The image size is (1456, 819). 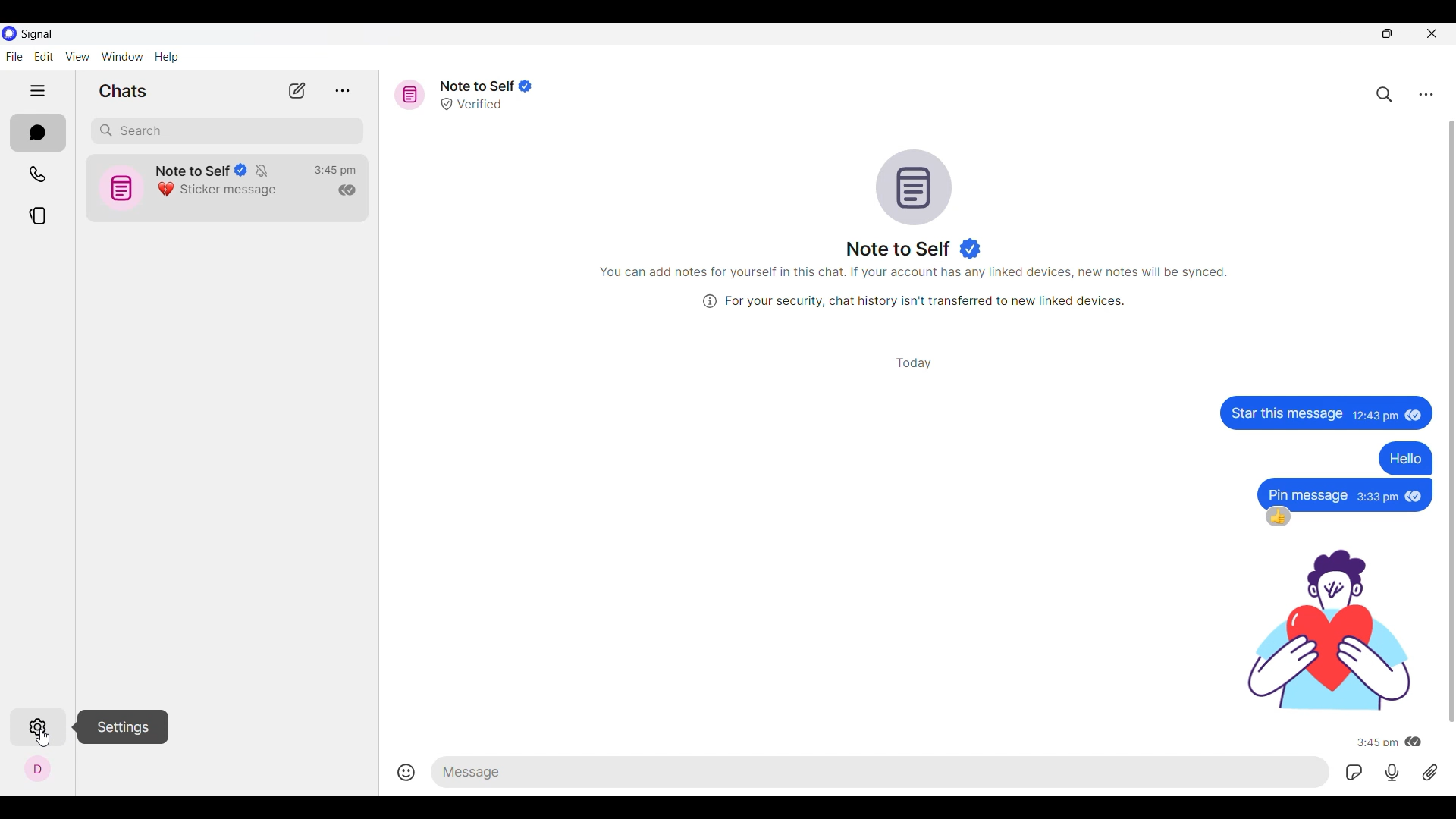 I want to click on GIFs, so click(x=1354, y=772).